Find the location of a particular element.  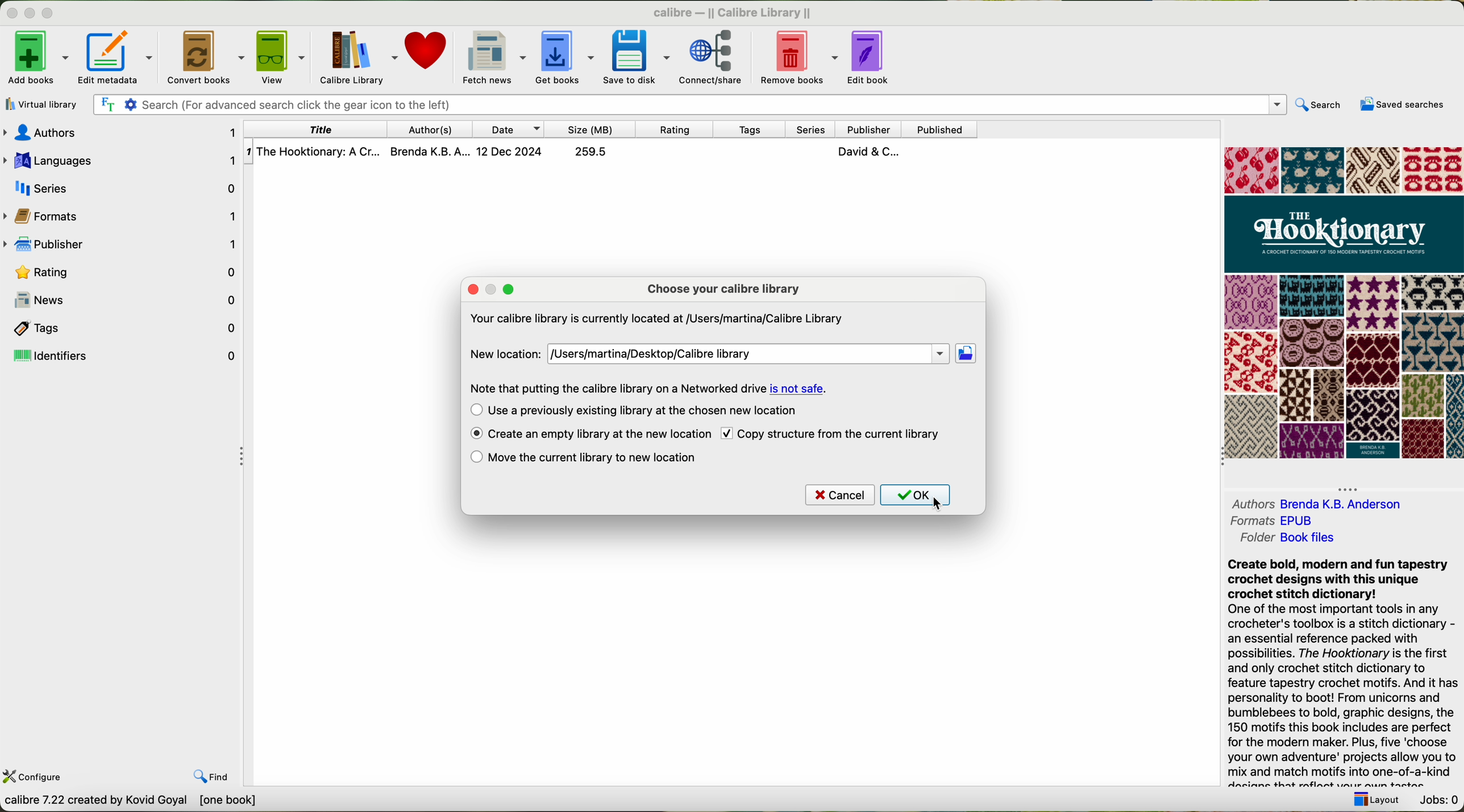

remove books is located at coordinates (794, 57).